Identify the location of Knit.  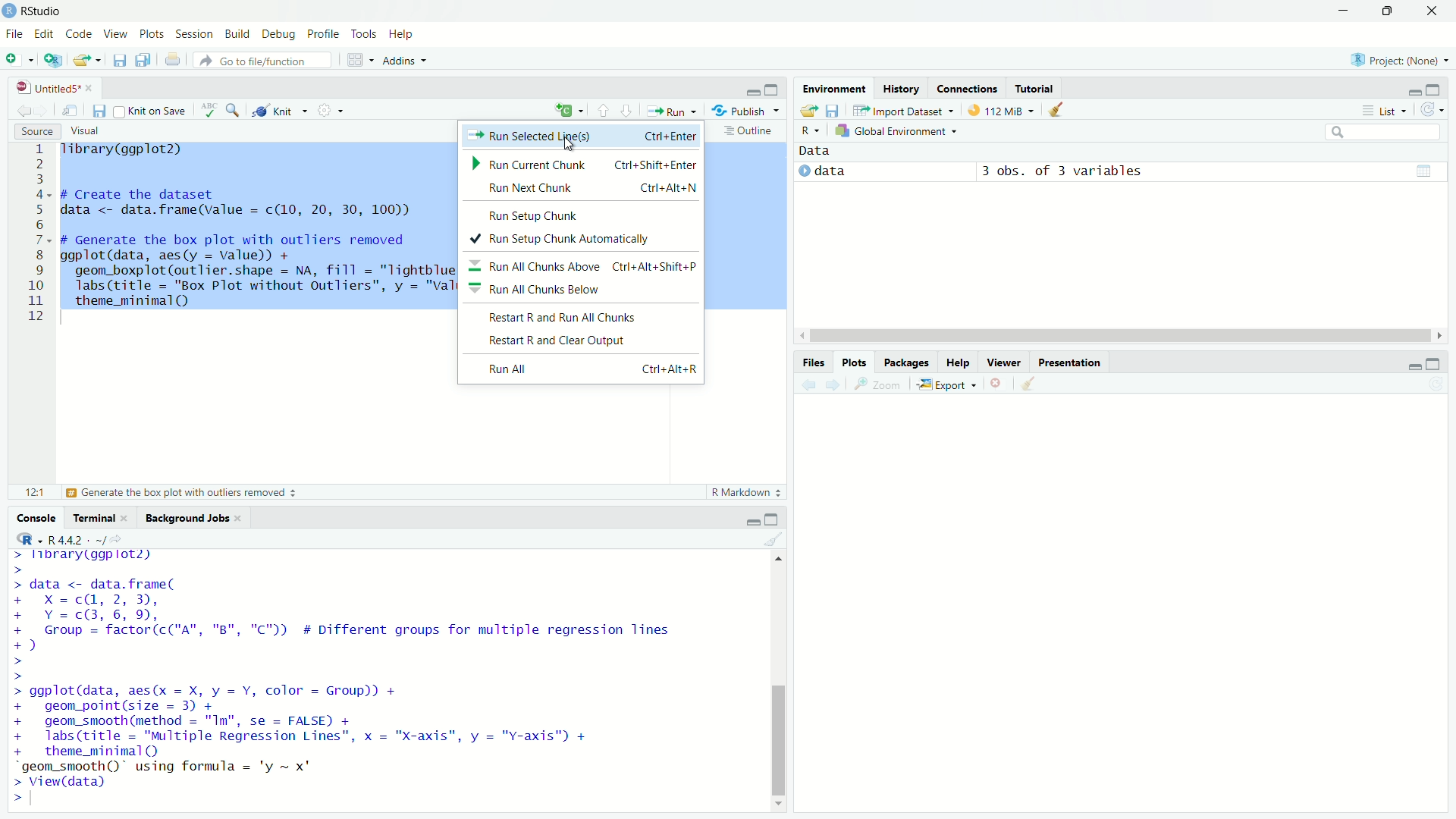
(273, 112).